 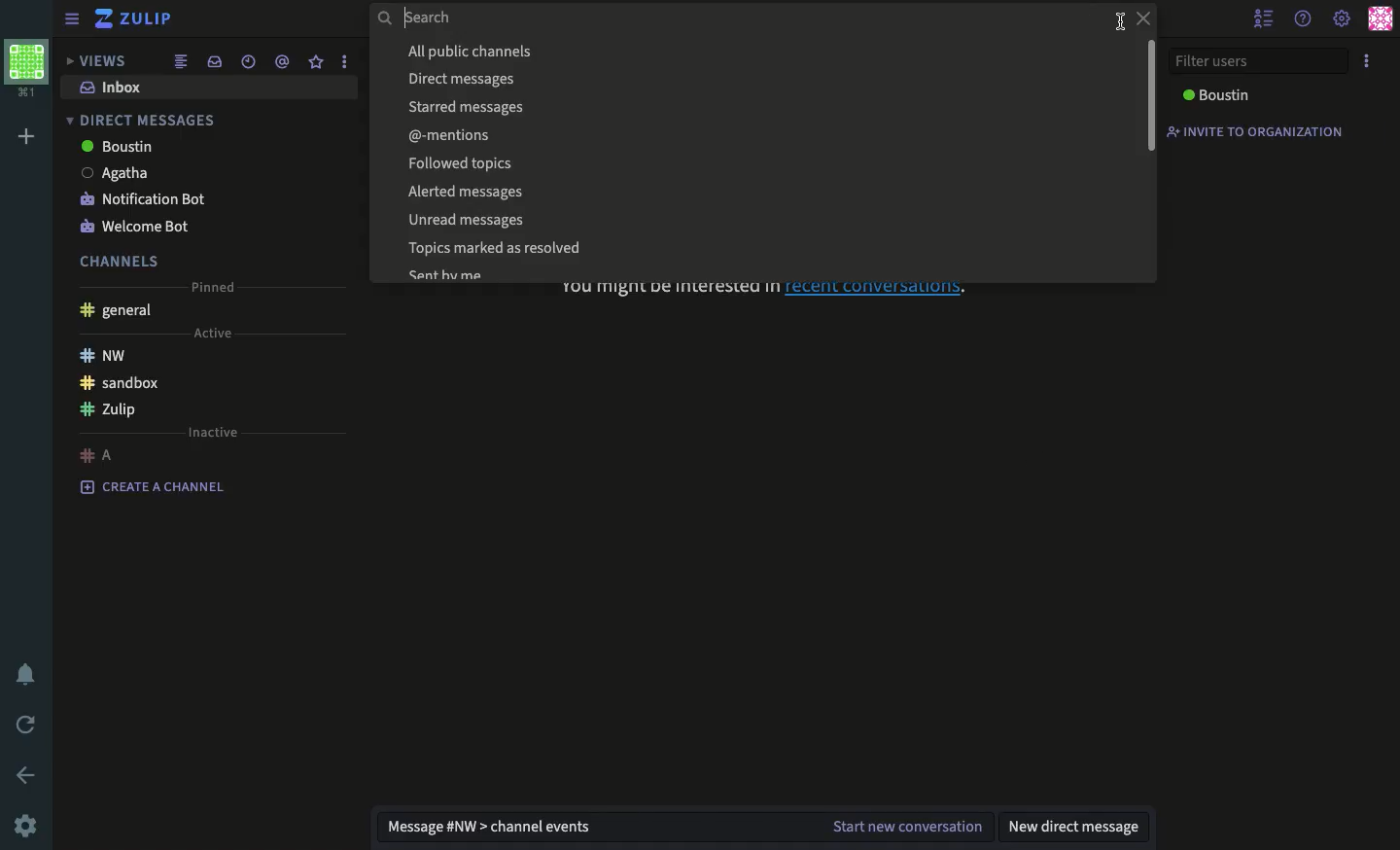 I want to click on sidebar, so click(x=71, y=19).